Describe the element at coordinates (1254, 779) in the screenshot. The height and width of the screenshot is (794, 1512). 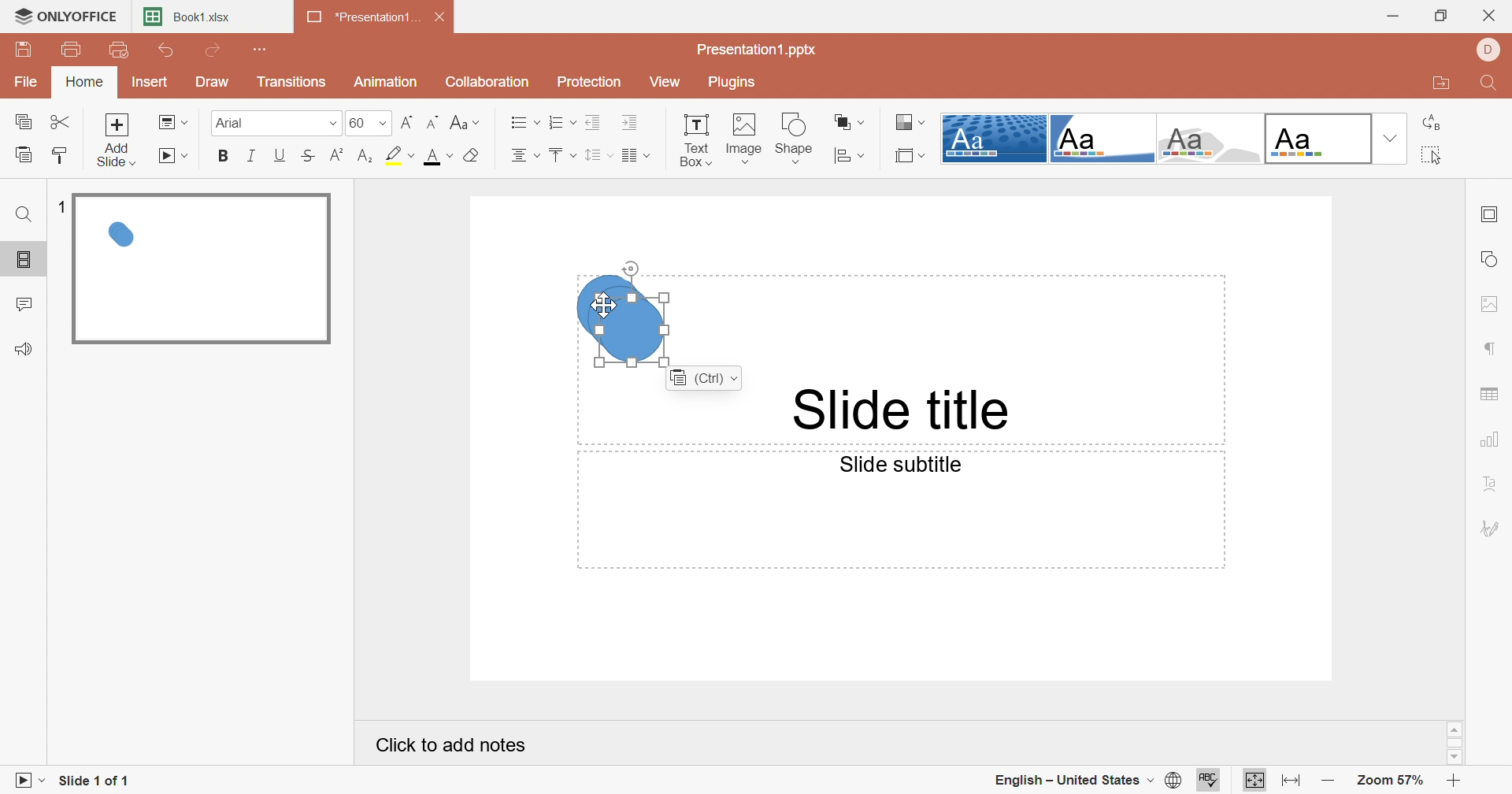
I see `Fit to slide` at that location.